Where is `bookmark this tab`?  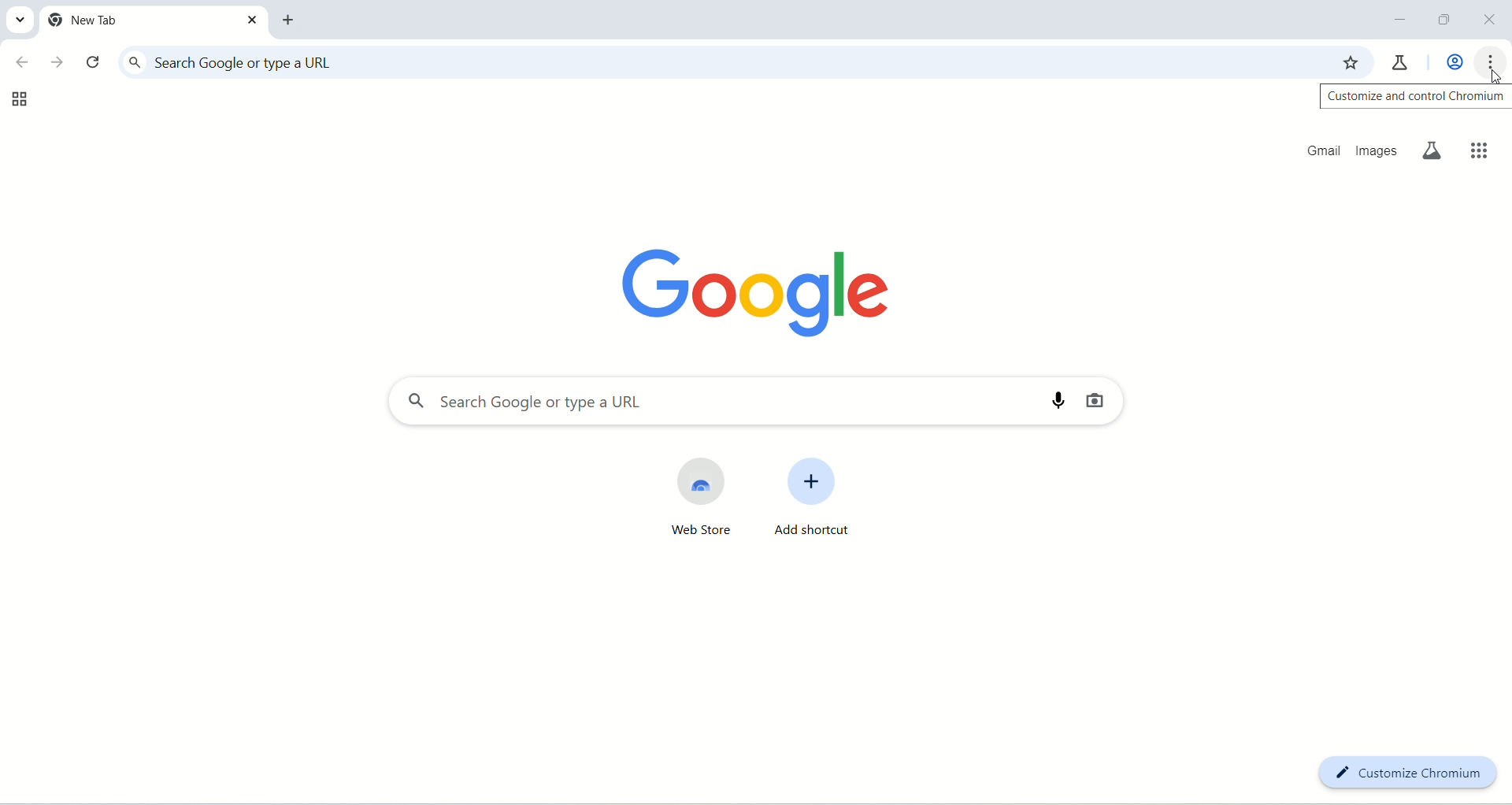 bookmark this tab is located at coordinates (1352, 61).